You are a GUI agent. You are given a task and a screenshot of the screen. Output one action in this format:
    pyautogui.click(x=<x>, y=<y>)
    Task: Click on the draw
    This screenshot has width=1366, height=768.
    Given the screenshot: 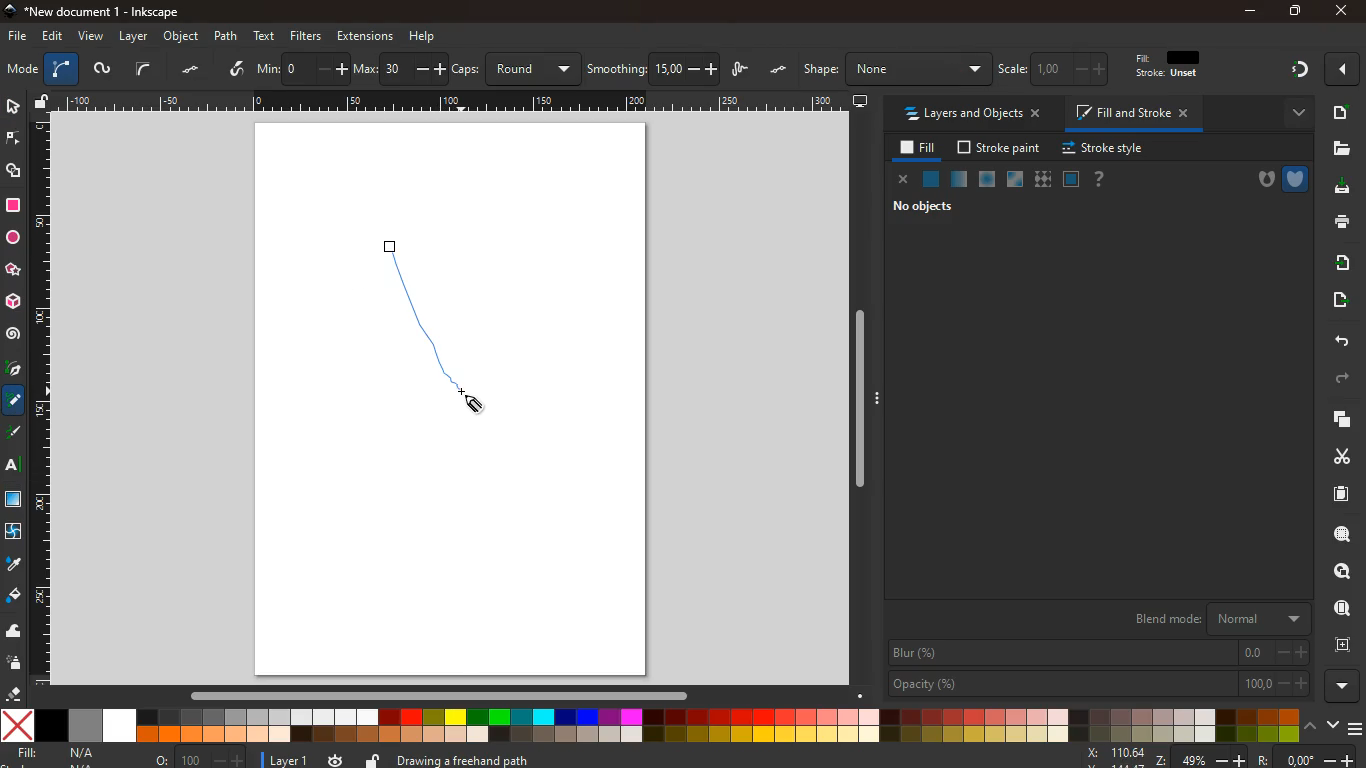 What is the action you would take?
    pyautogui.click(x=742, y=71)
    